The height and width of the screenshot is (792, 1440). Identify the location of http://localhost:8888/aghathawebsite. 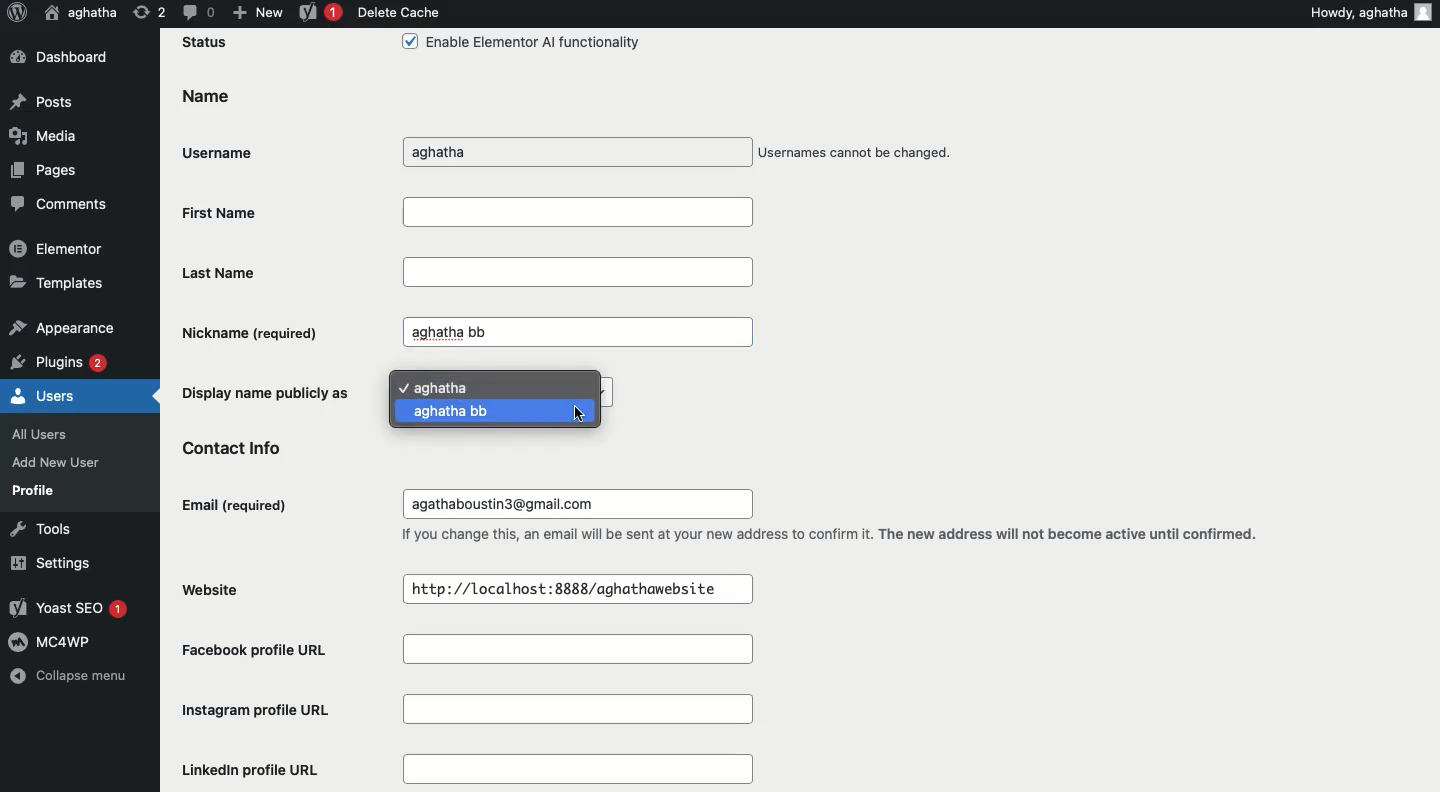
(567, 588).